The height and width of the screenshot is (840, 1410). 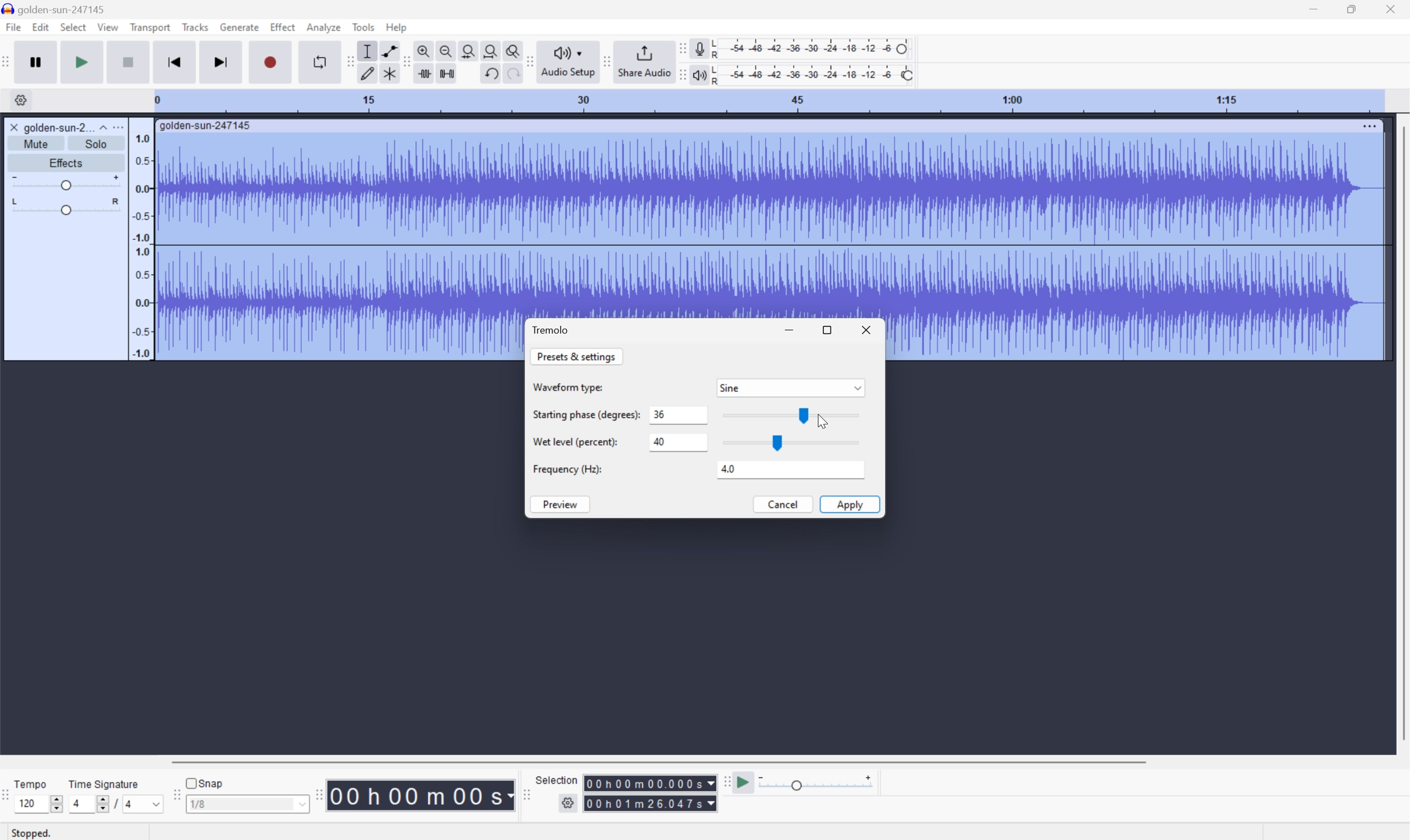 I want to click on golden-sun-247145, so click(x=206, y=127).